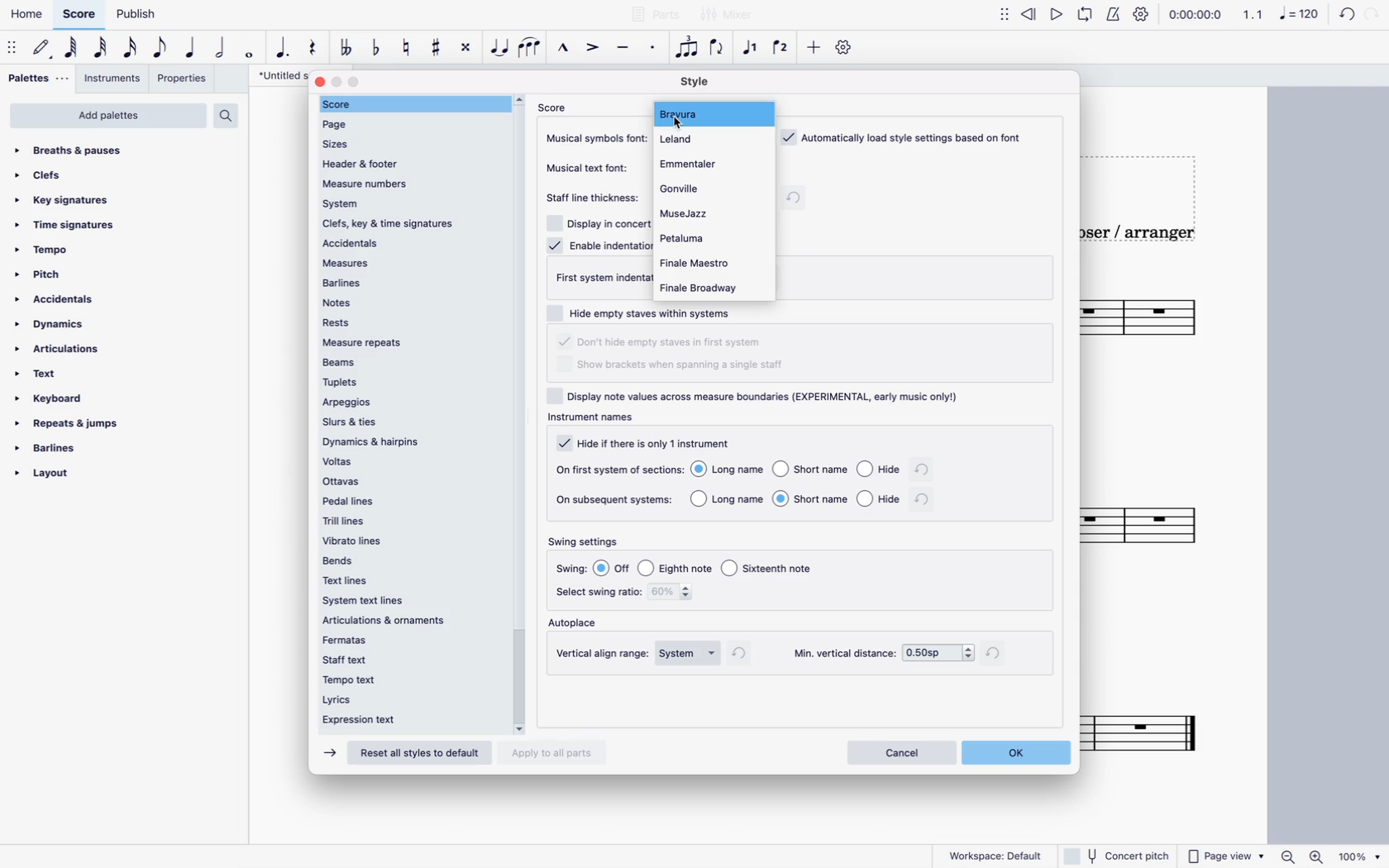 The image size is (1389, 868). What do you see at coordinates (644, 443) in the screenshot?
I see `hide` at bounding box center [644, 443].